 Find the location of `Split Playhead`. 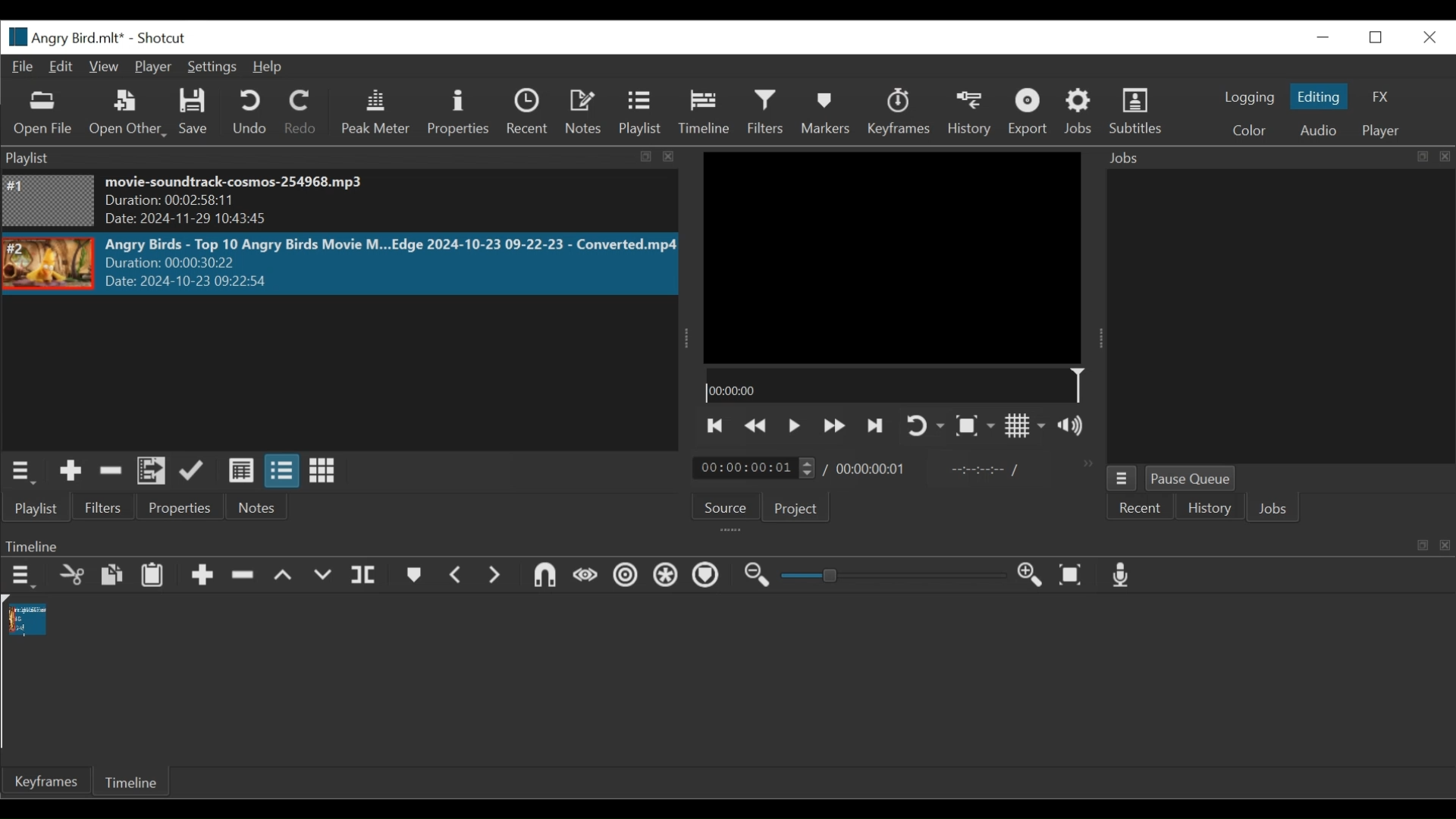

Split Playhead is located at coordinates (363, 576).